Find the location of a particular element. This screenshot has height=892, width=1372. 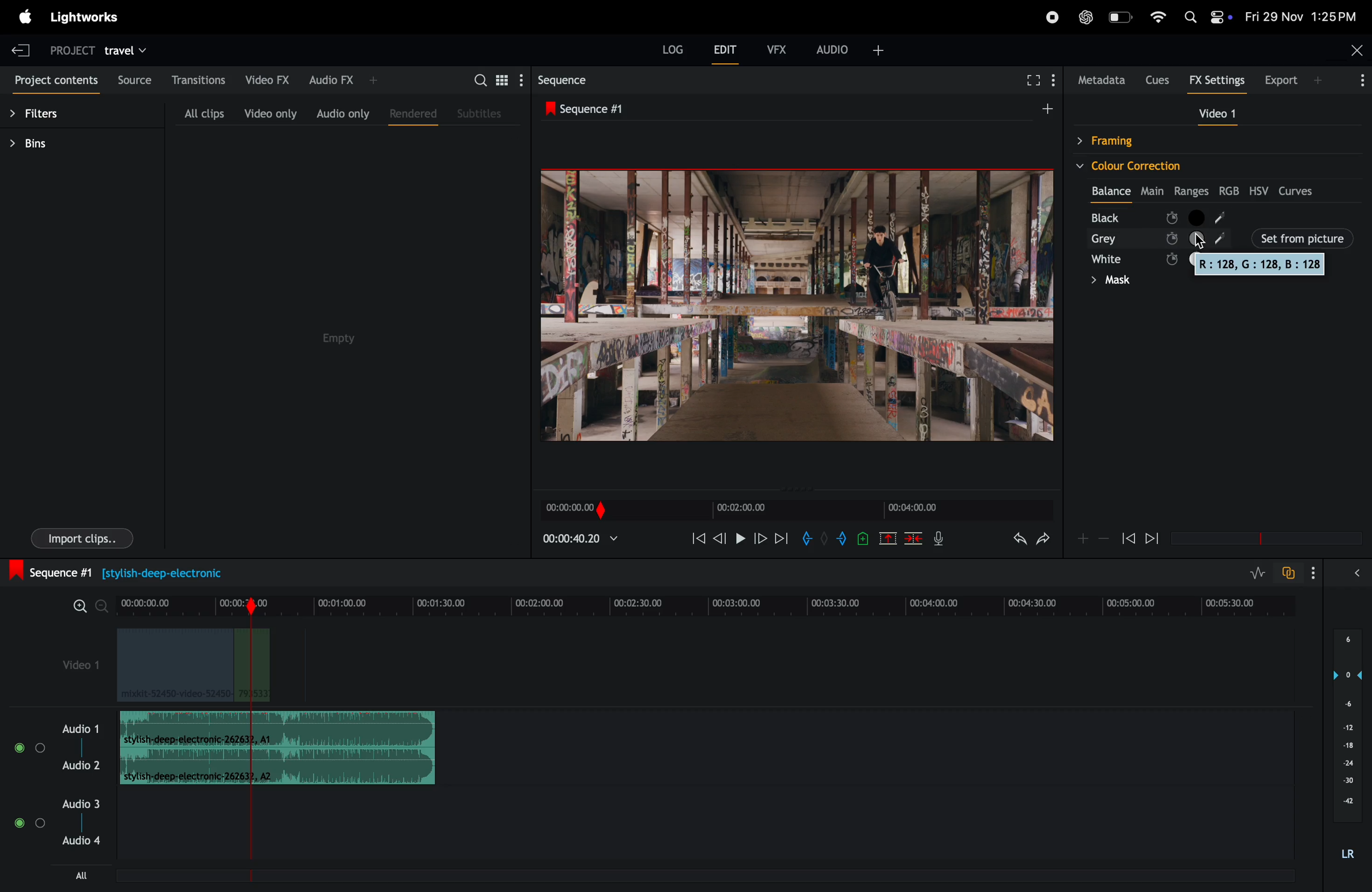

mic is located at coordinates (942, 538).